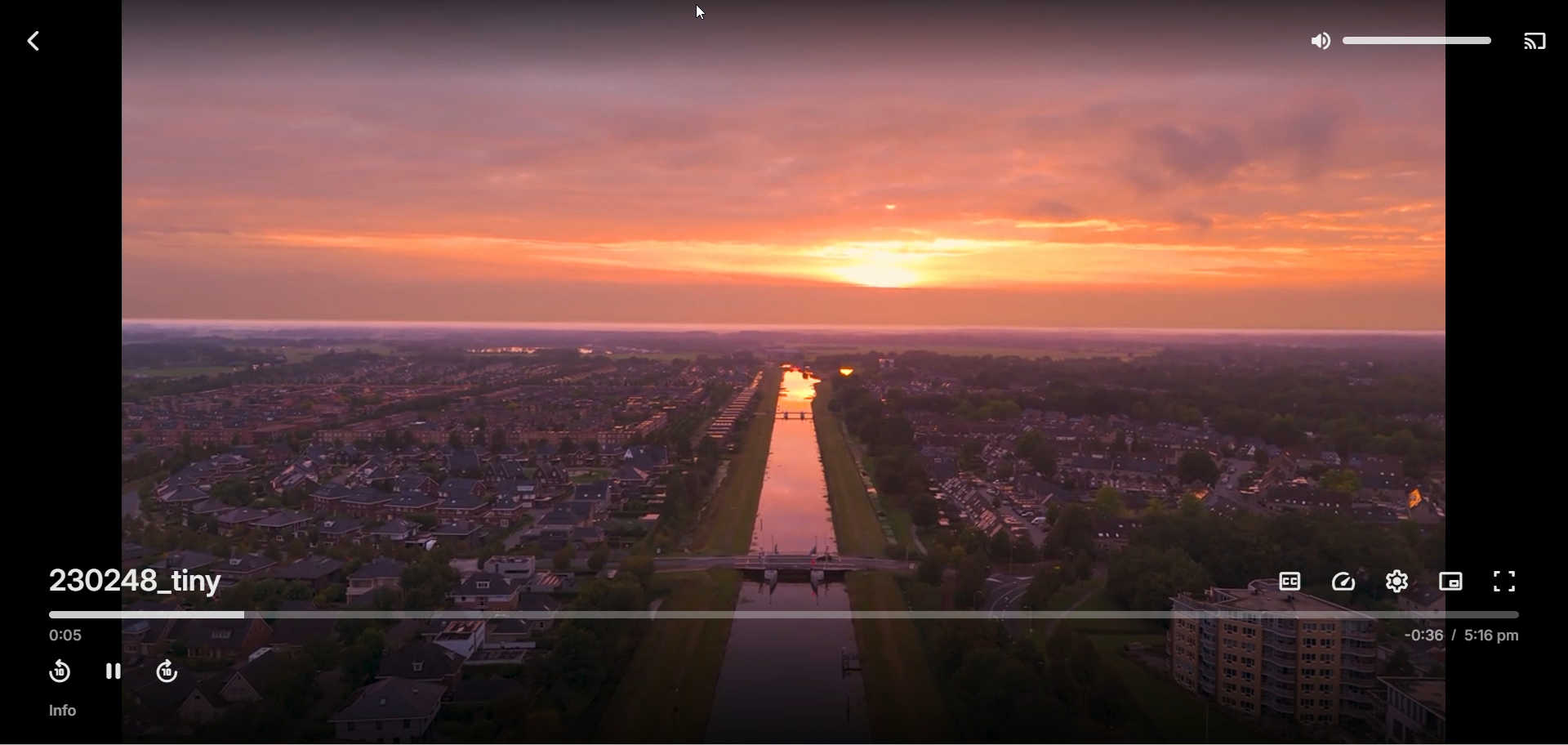  What do you see at coordinates (1290, 585) in the screenshot?
I see `subtitles` at bounding box center [1290, 585].